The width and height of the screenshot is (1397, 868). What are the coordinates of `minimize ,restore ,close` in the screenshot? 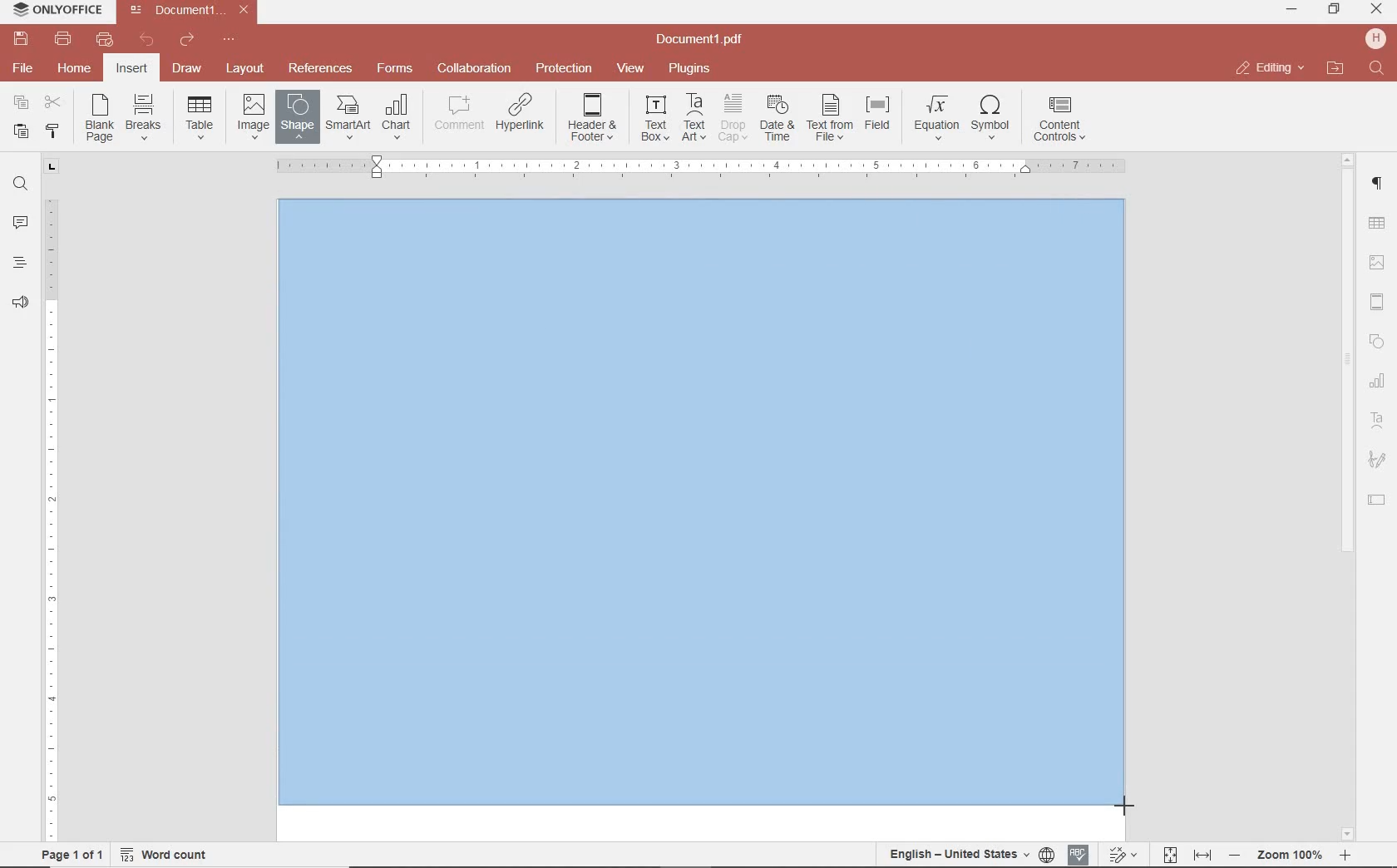 It's located at (1380, 10).